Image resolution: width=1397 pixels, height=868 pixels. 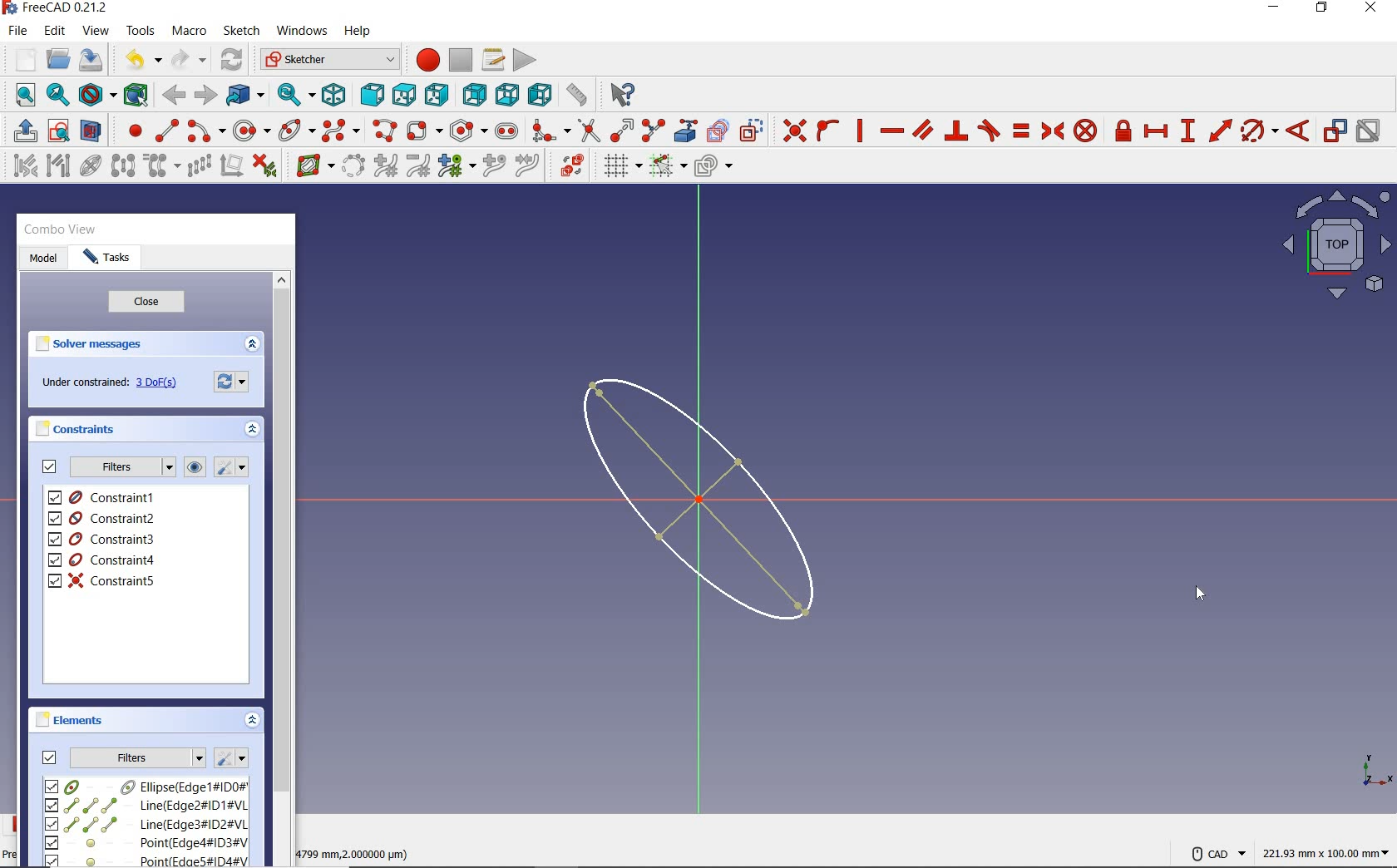 What do you see at coordinates (333, 94) in the screenshot?
I see `isometric` at bounding box center [333, 94].